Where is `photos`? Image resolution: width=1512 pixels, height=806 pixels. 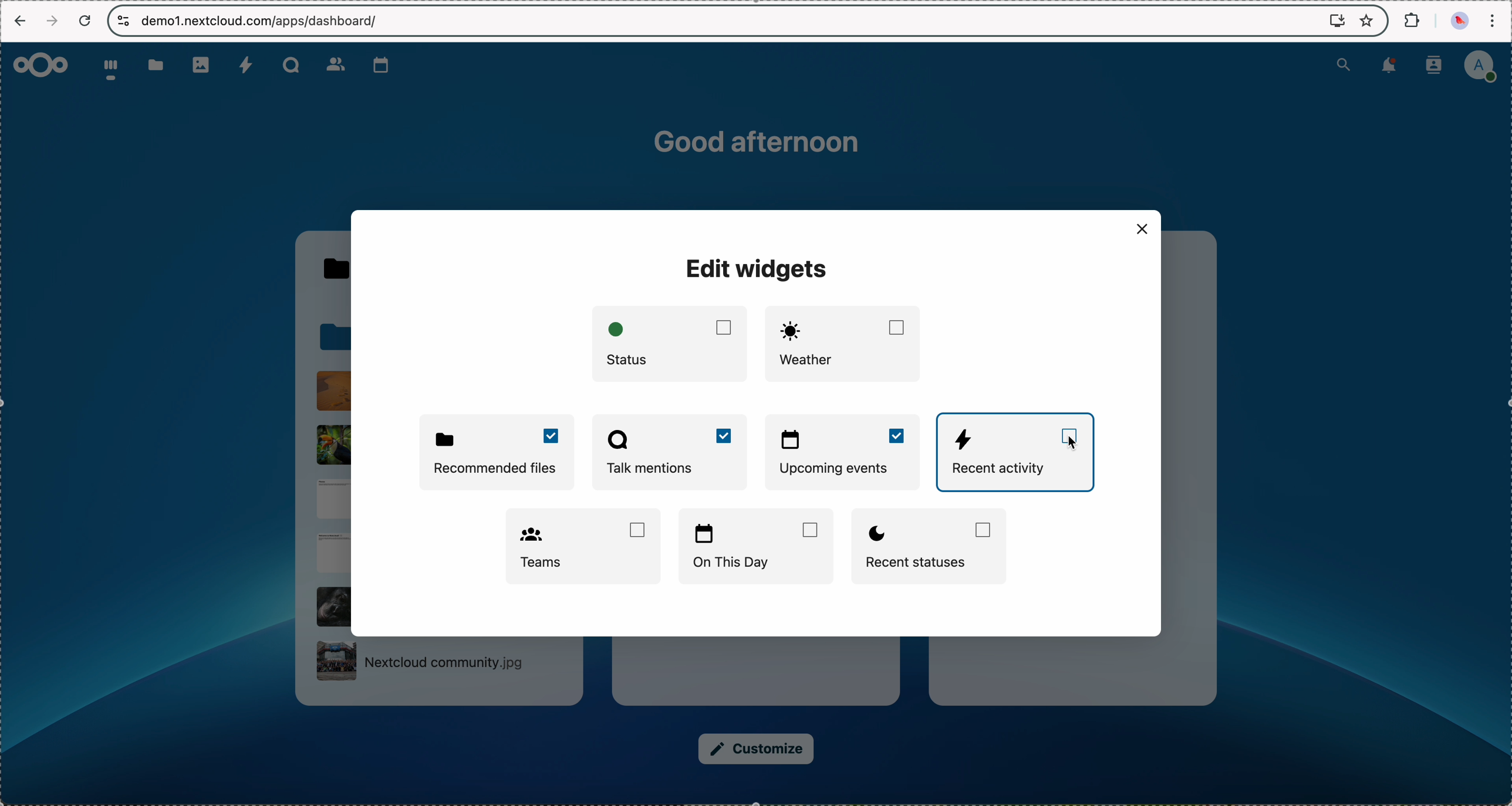 photos is located at coordinates (202, 65).